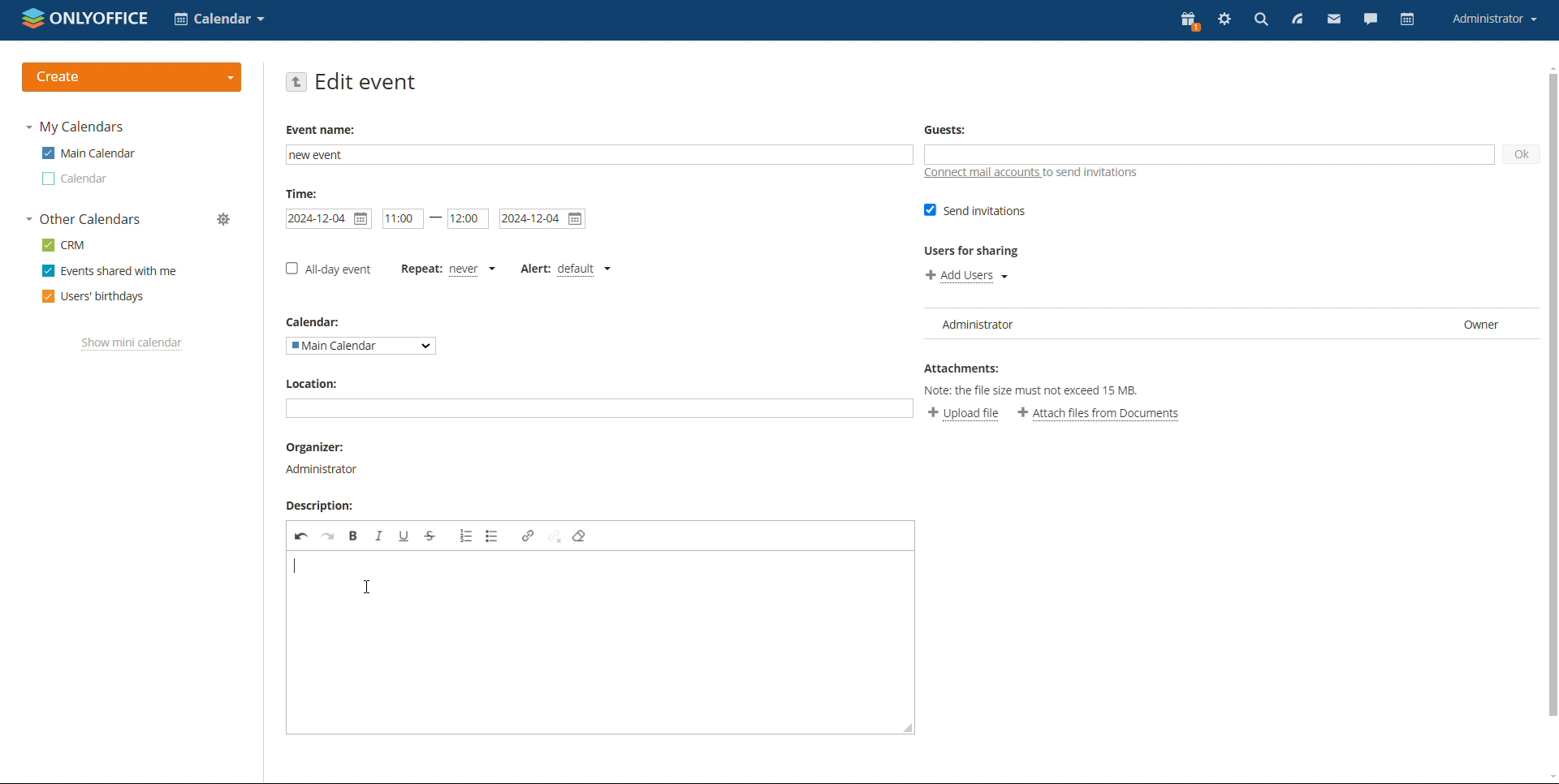 The image size is (1559, 784). Describe the element at coordinates (538, 271) in the screenshot. I see `set alert` at that location.